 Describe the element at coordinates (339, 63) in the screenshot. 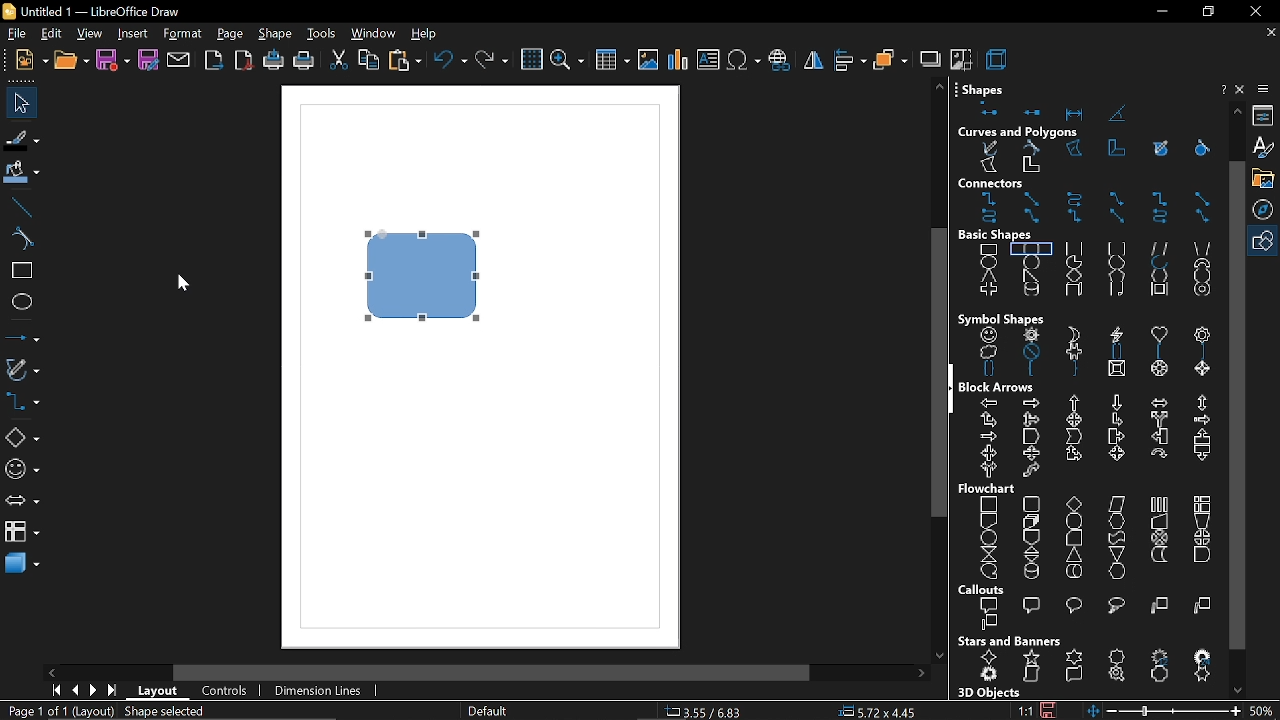

I see `cut` at that location.